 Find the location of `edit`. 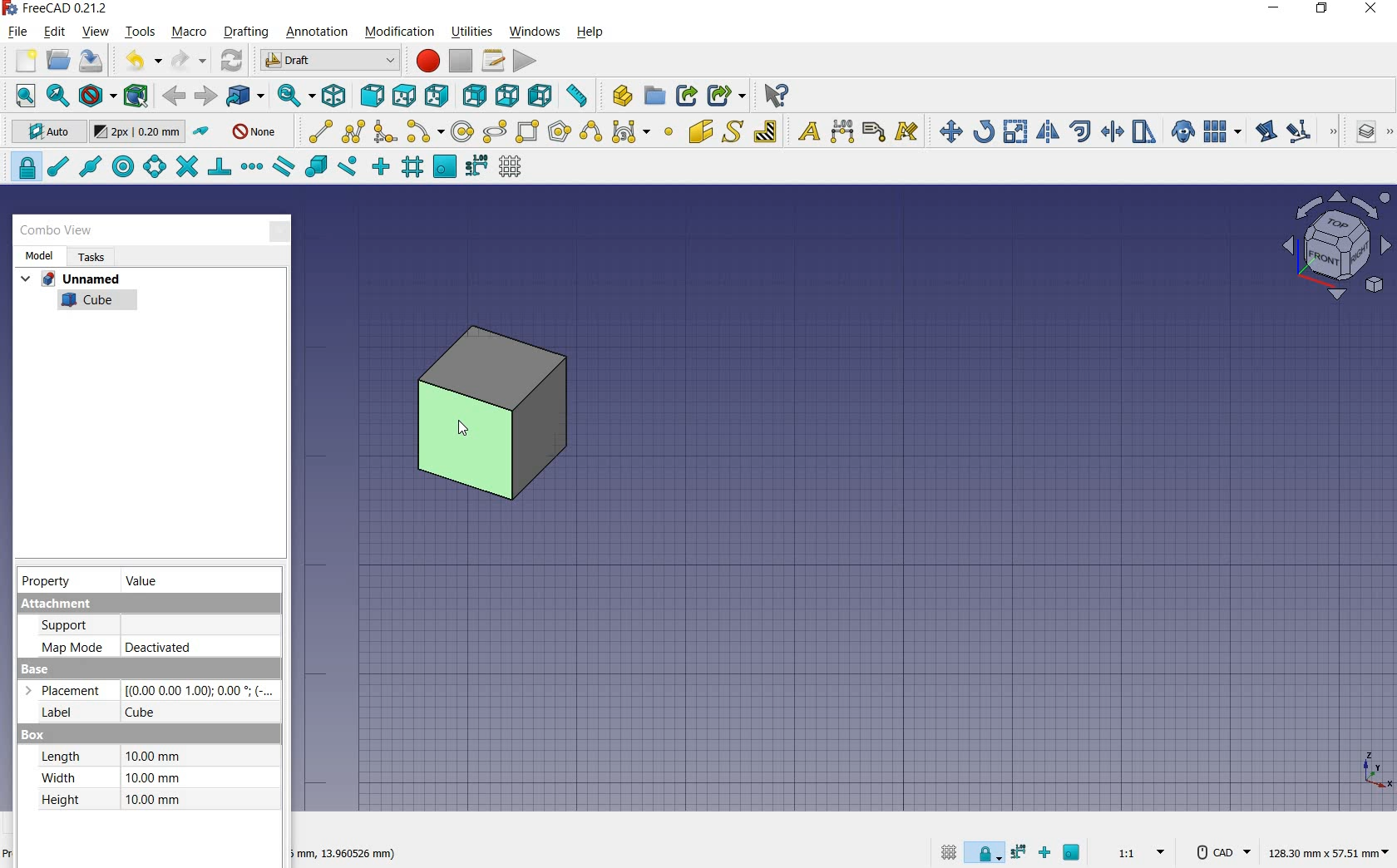

edit is located at coordinates (1266, 131).